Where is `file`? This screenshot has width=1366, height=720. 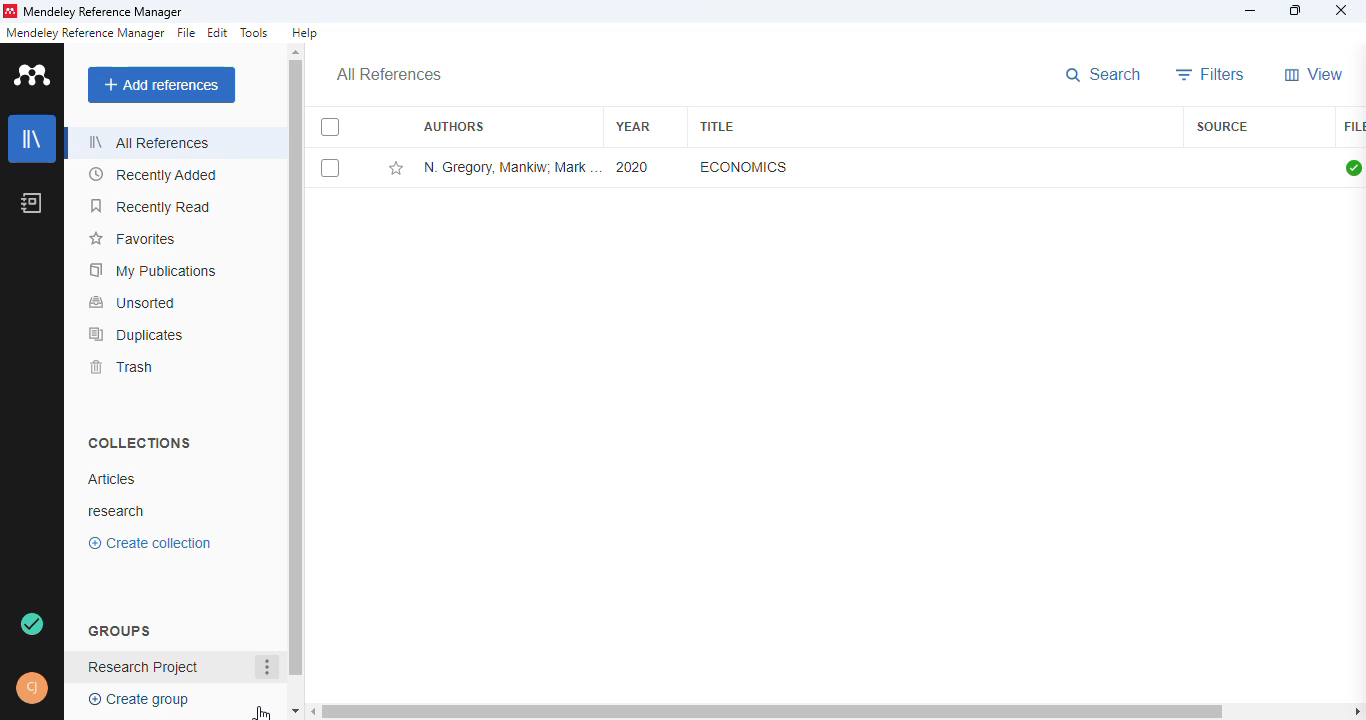 file is located at coordinates (1351, 126).